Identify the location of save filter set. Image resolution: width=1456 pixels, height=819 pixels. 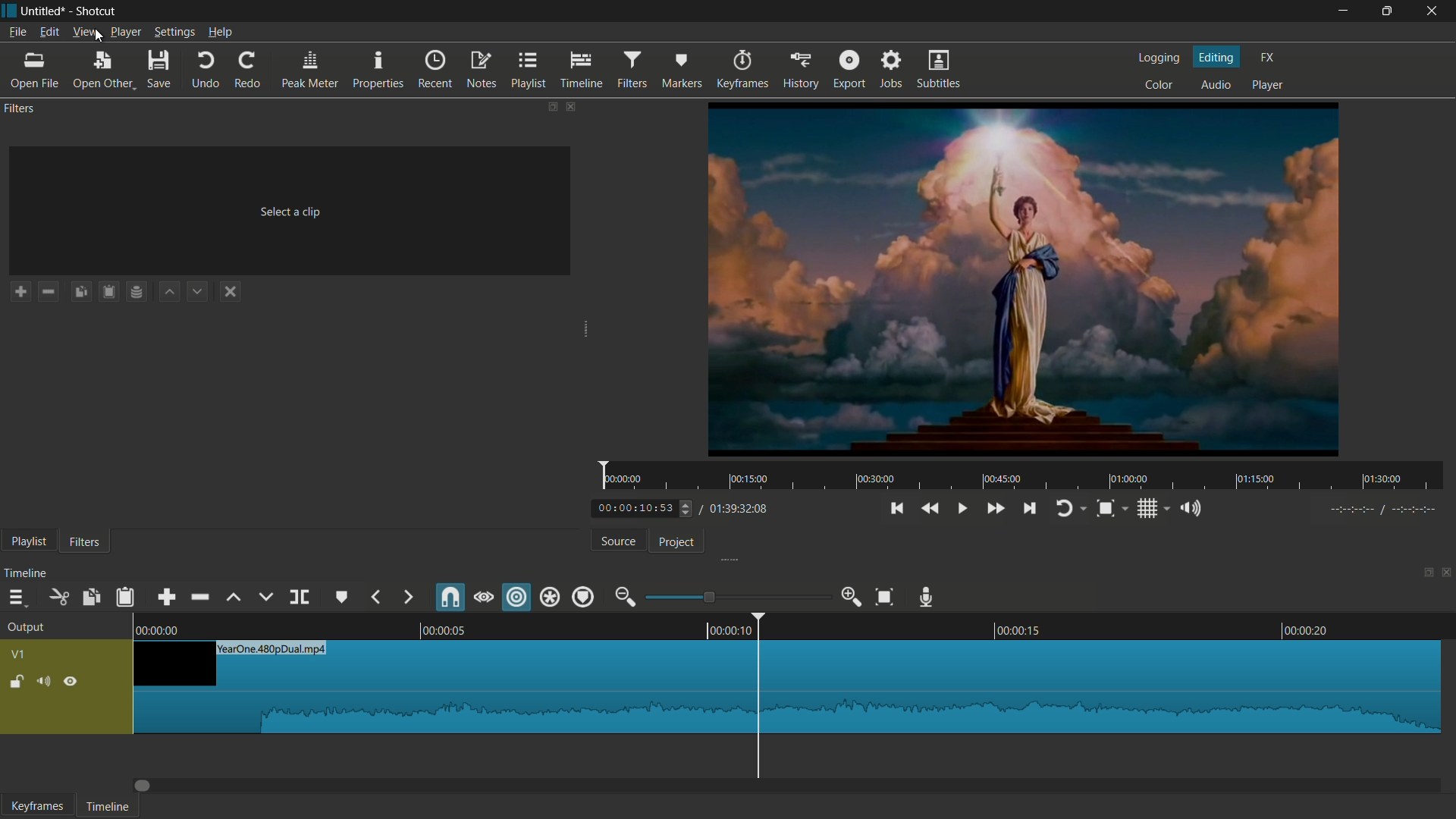
(138, 291).